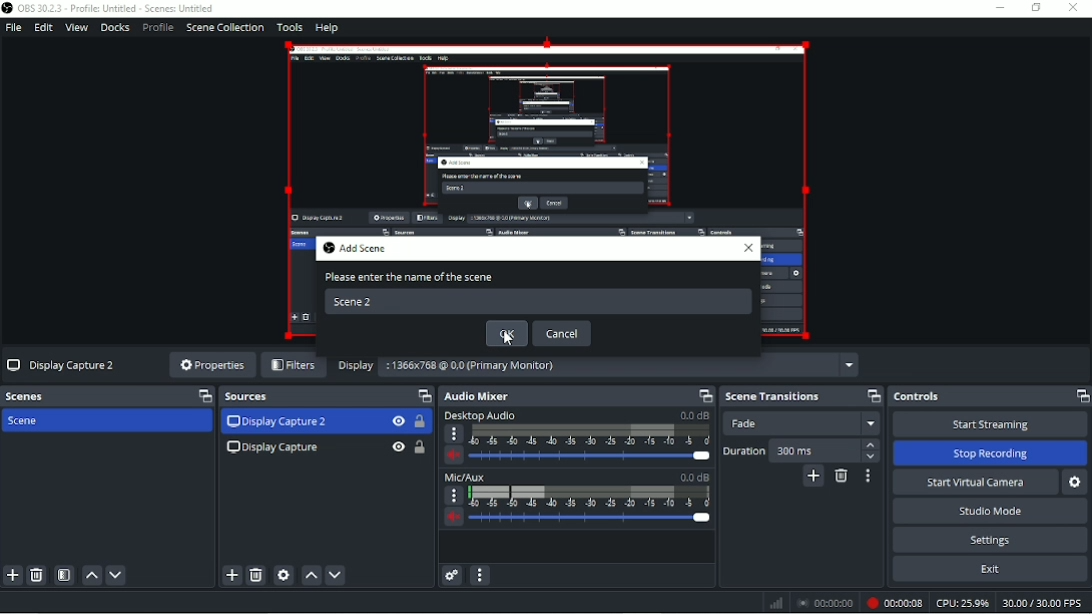  What do you see at coordinates (989, 425) in the screenshot?
I see `Start Streaming` at bounding box center [989, 425].